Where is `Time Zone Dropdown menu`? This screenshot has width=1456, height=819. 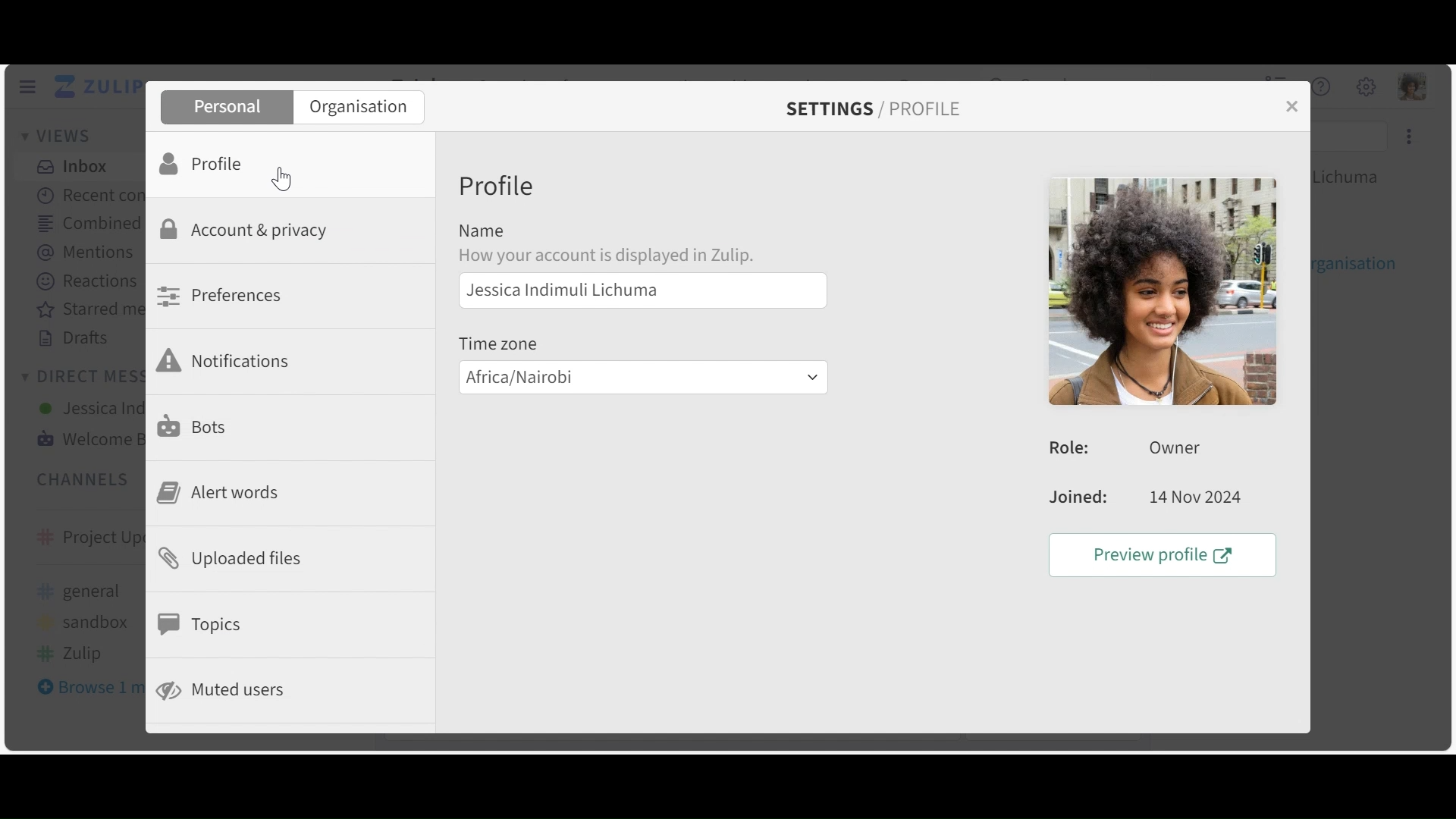 Time Zone Dropdown menu is located at coordinates (642, 375).